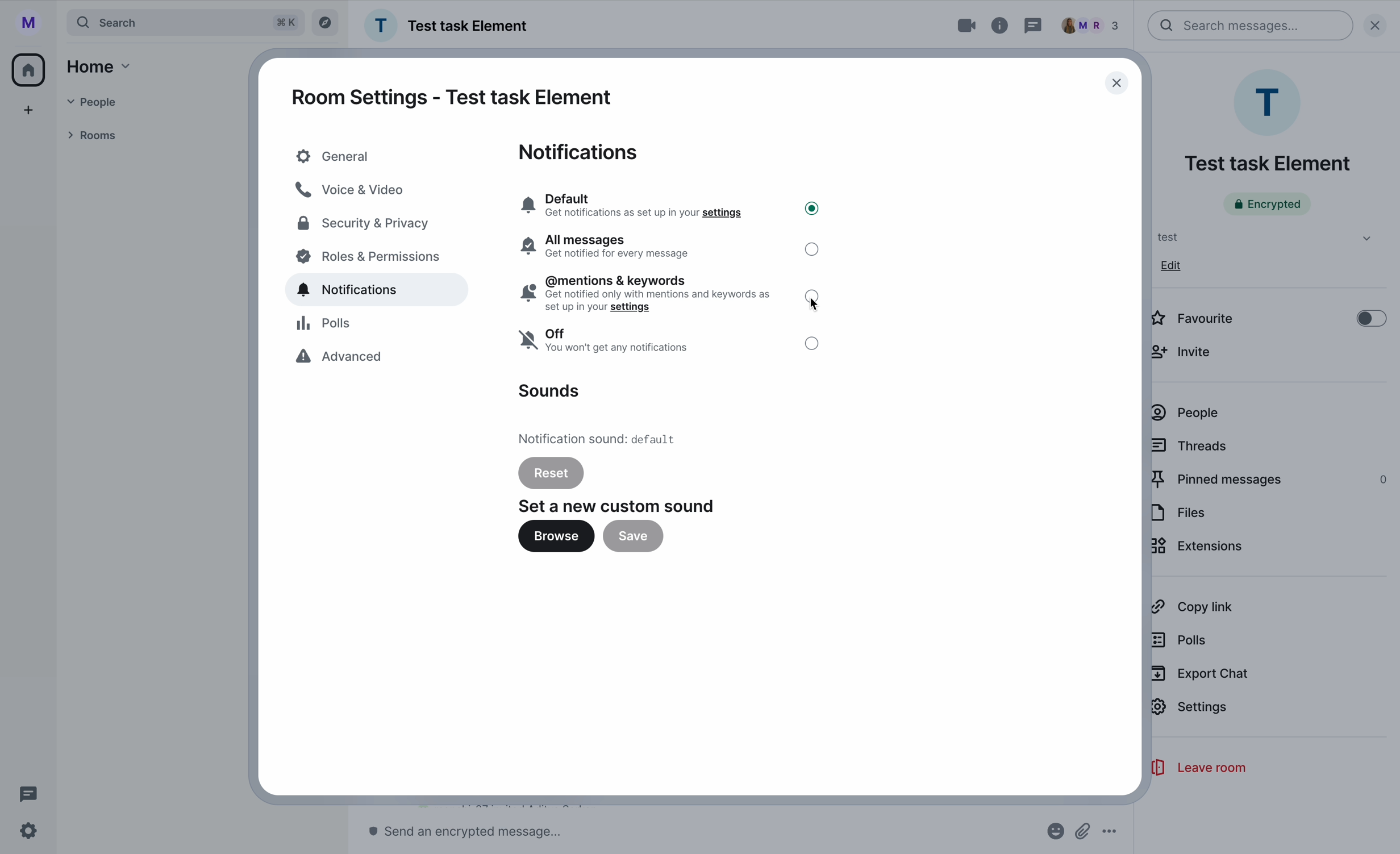 The image size is (1400, 854). What do you see at coordinates (449, 26) in the screenshot?
I see `name group` at bounding box center [449, 26].